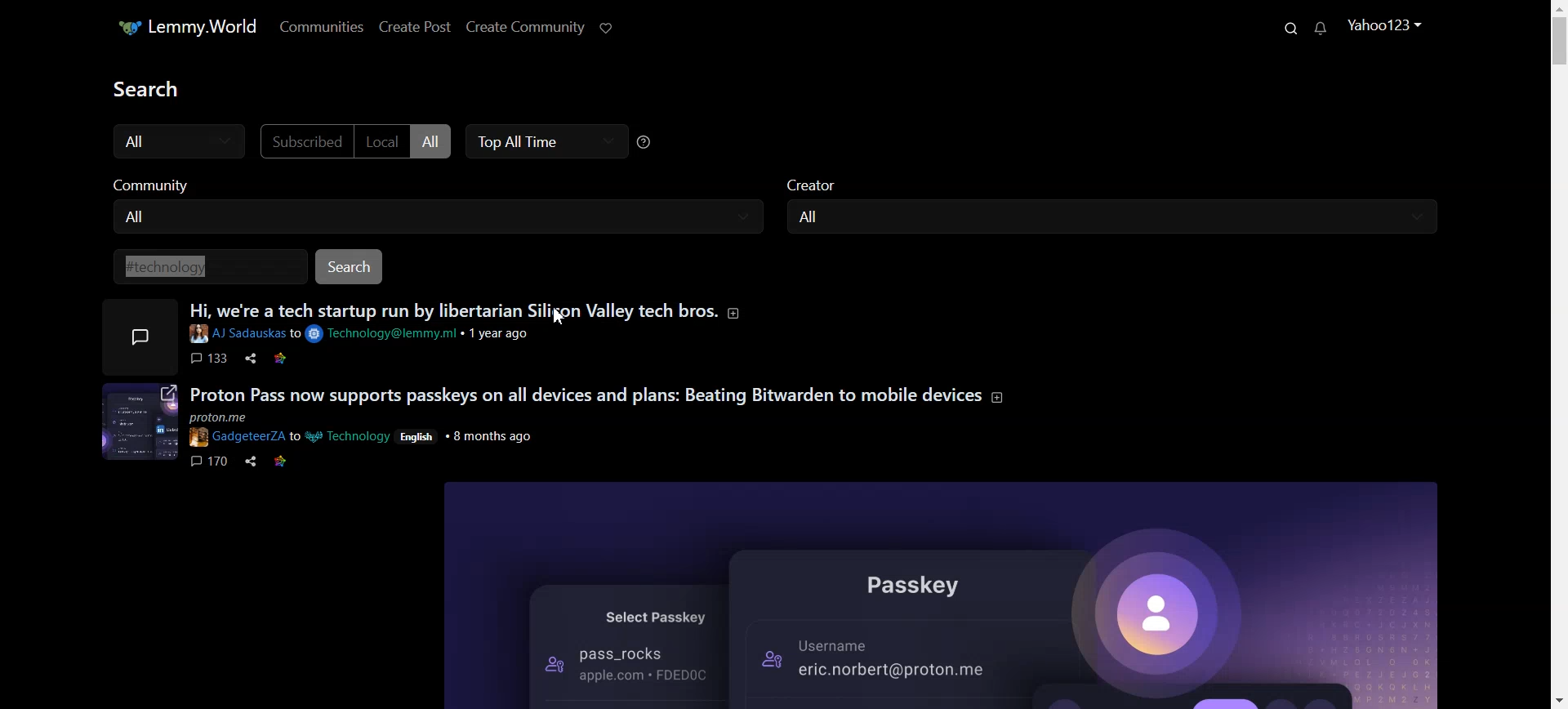 This screenshot has height=709, width=1568. I want to click on Subscribed, so click(303, 140).